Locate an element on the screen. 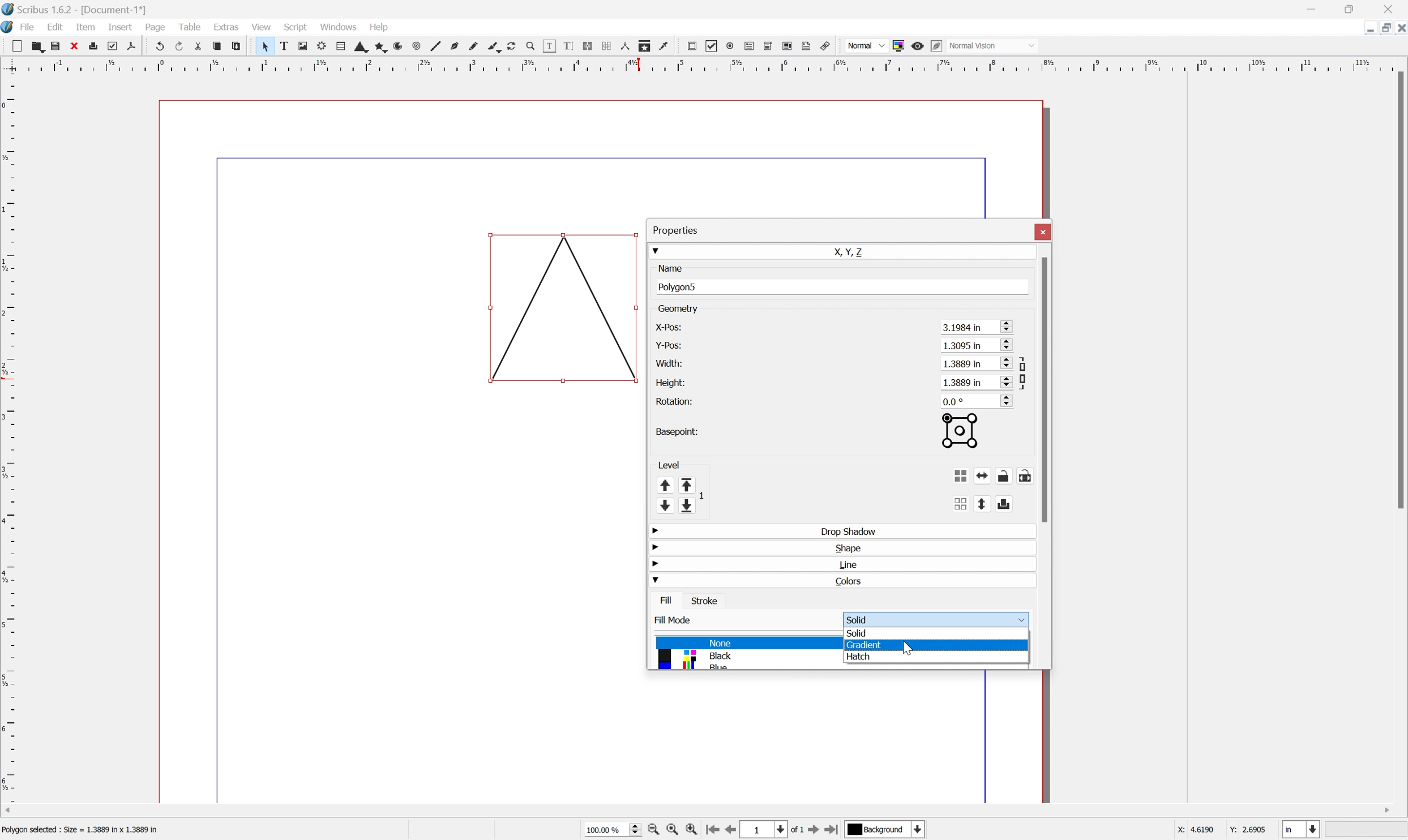 The height and width of the screenshot is (840, 1408). Drop Down is located at coordinates (656, 597).